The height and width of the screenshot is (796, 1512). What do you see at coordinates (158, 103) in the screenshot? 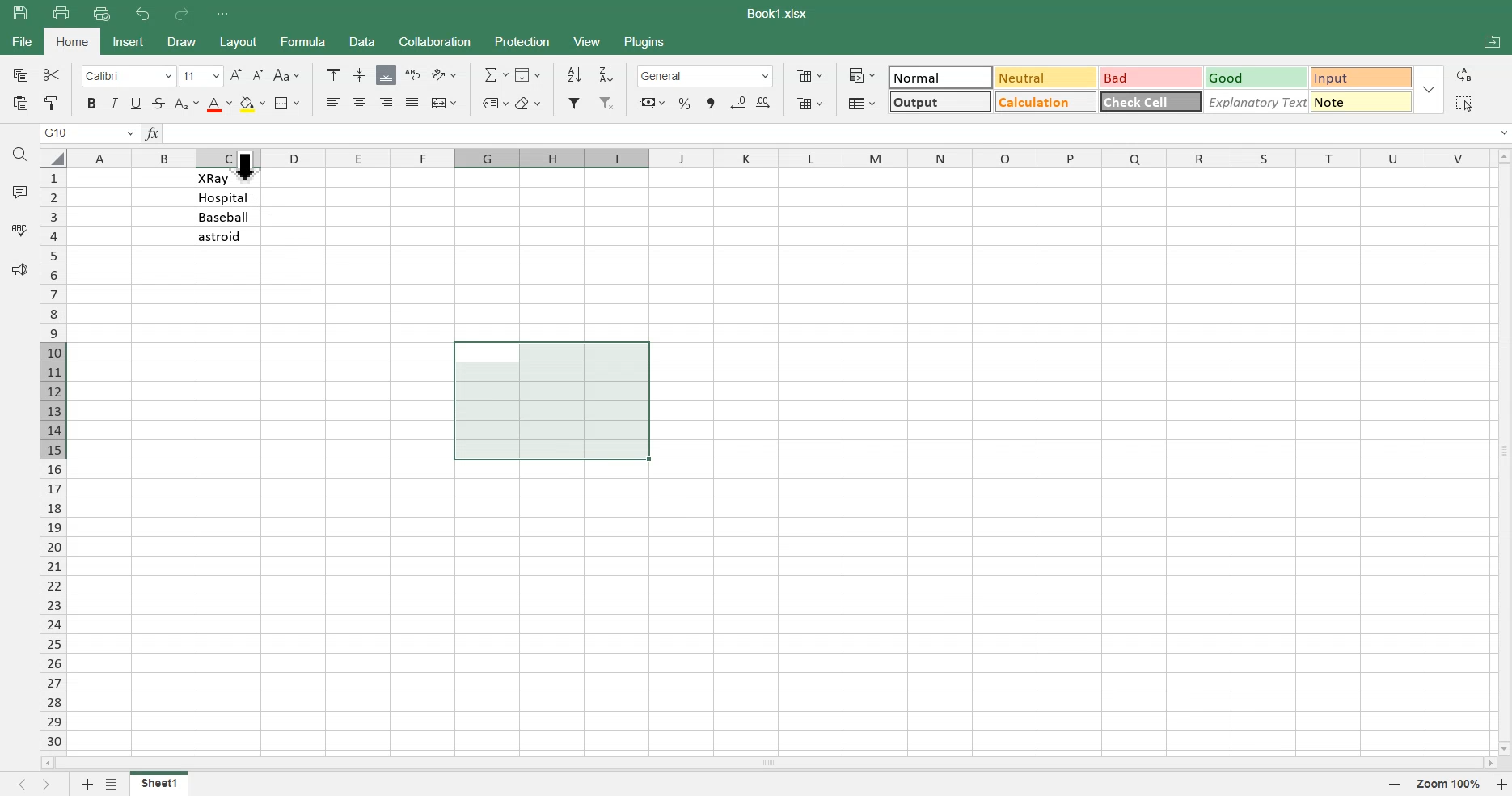
I see `Strikethrough` at bounding box center [158, 103].